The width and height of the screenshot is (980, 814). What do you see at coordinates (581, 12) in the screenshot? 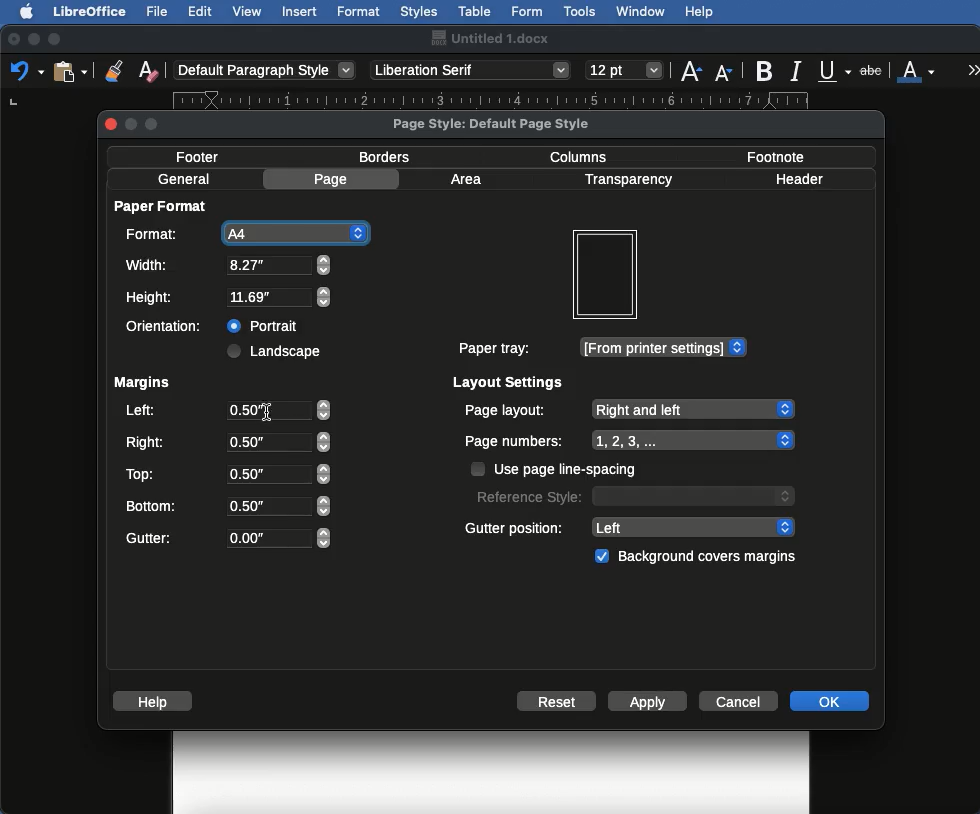
I see `Tools` at bounding box center [581, 12].